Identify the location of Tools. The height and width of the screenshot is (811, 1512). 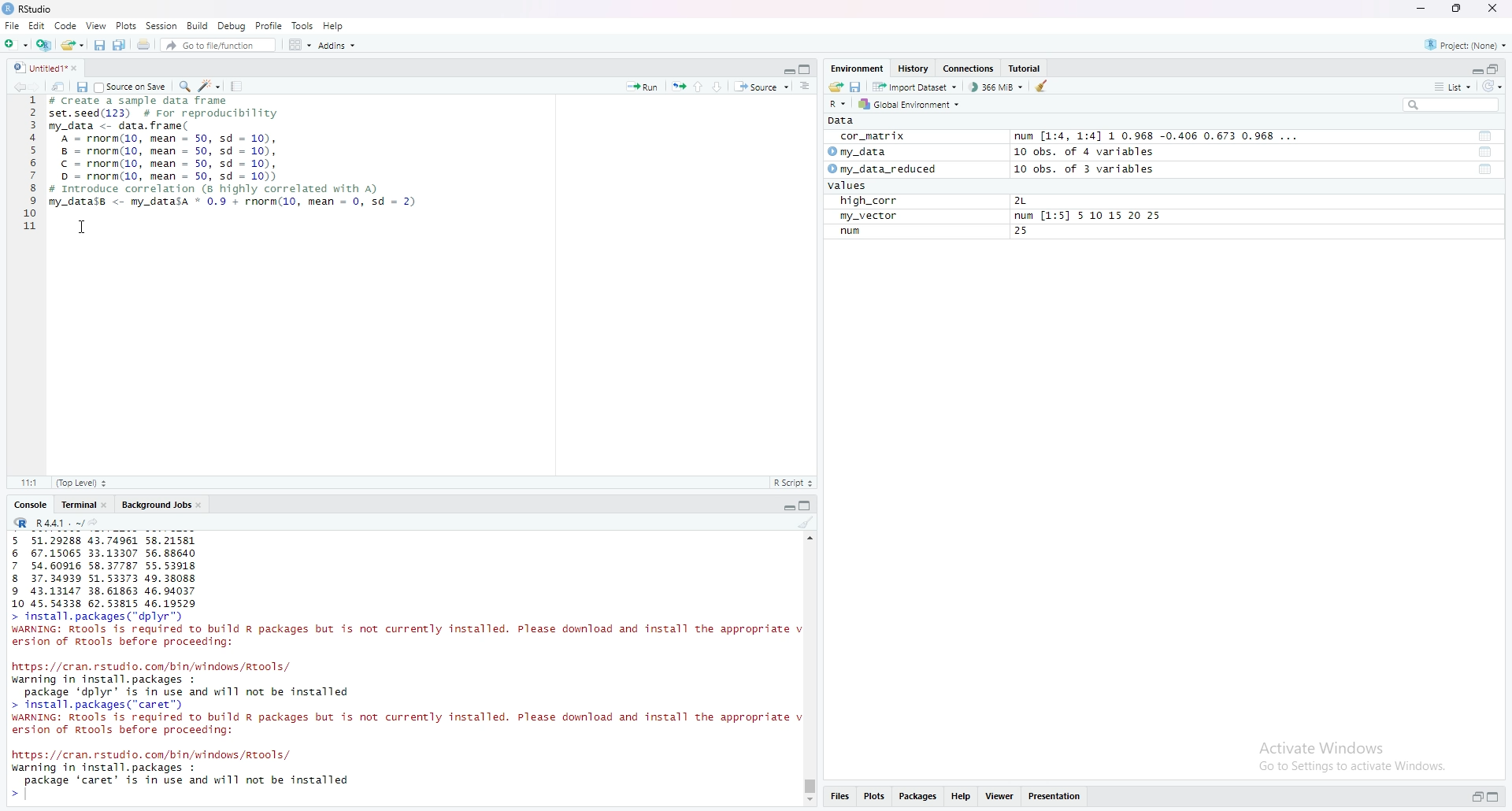
(304, 25).